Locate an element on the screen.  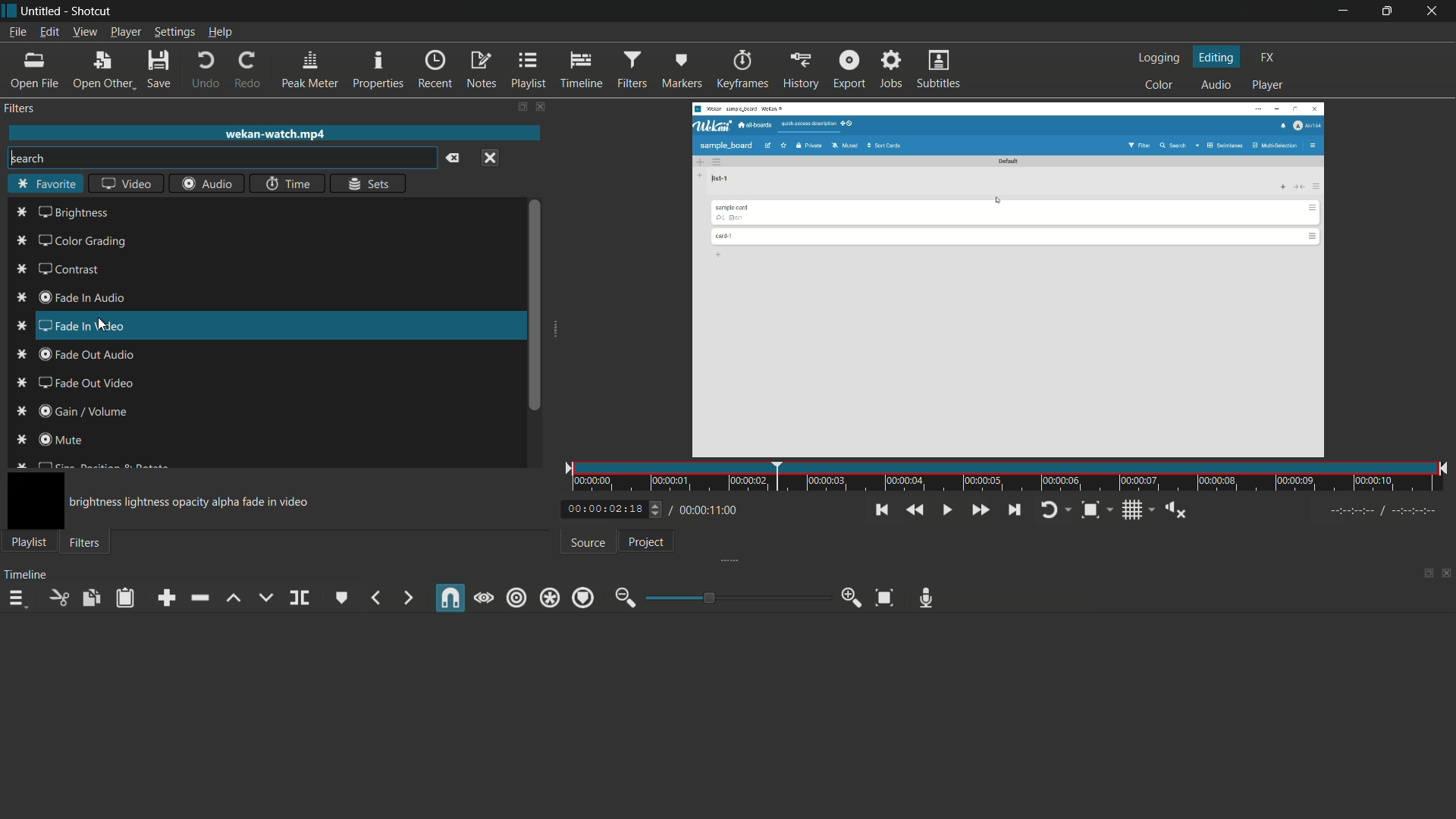
close timeline is located at coordinates (1447, 571).